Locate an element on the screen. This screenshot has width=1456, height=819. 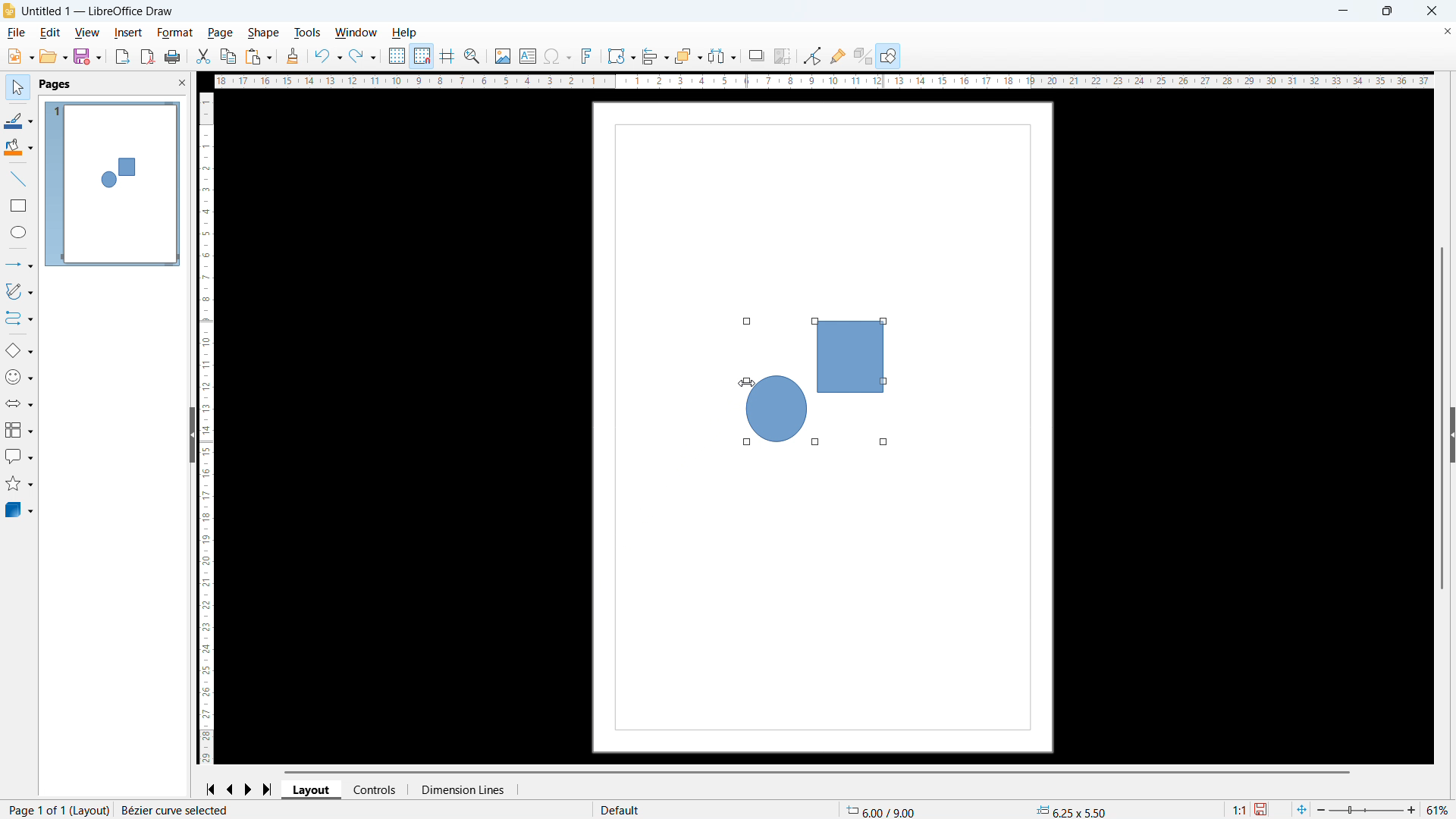
Pages  is located at coordinates (56, 85).